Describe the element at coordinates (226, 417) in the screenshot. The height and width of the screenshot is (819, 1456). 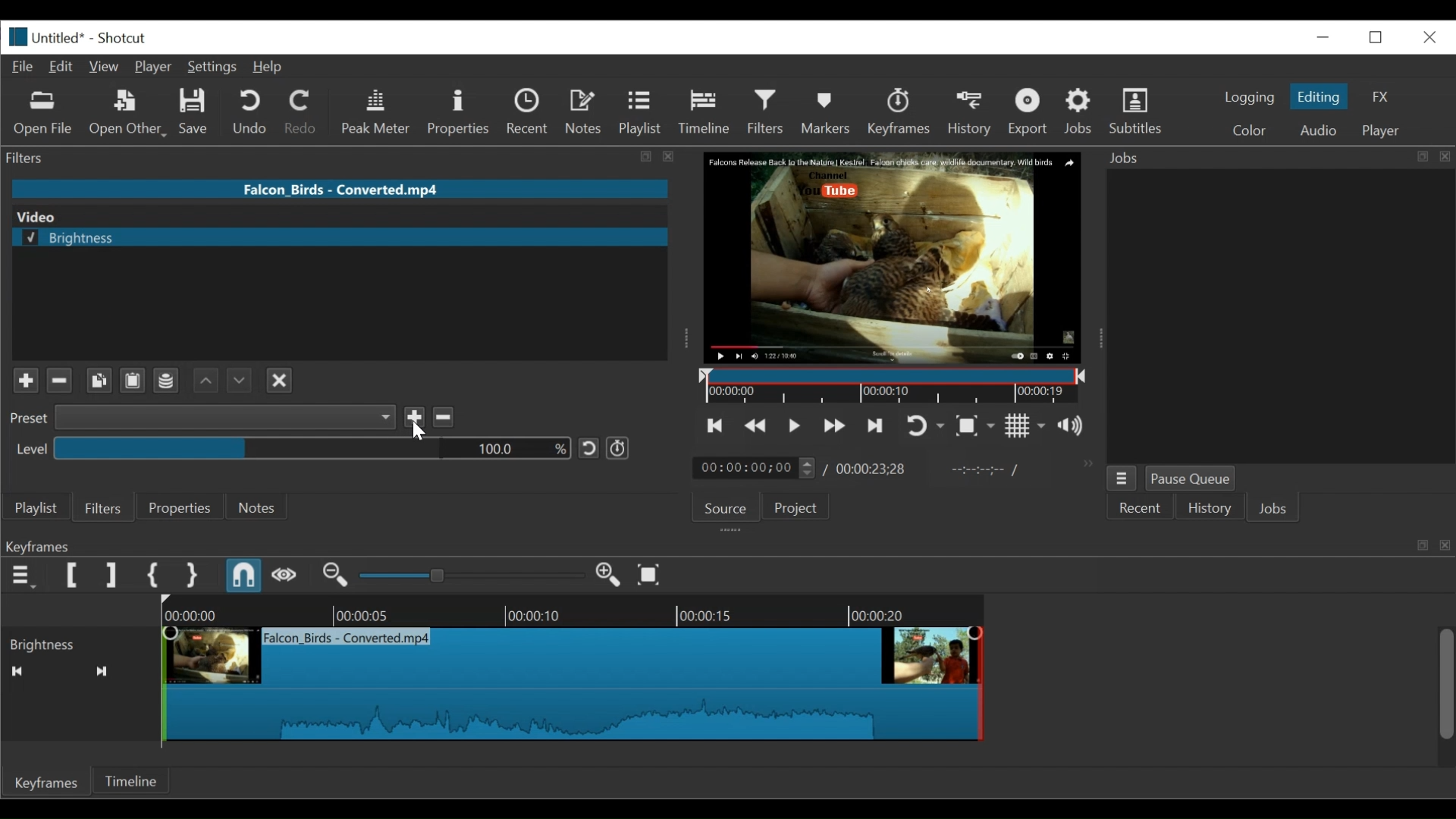
I see `Preset dropdown menu` at that location.